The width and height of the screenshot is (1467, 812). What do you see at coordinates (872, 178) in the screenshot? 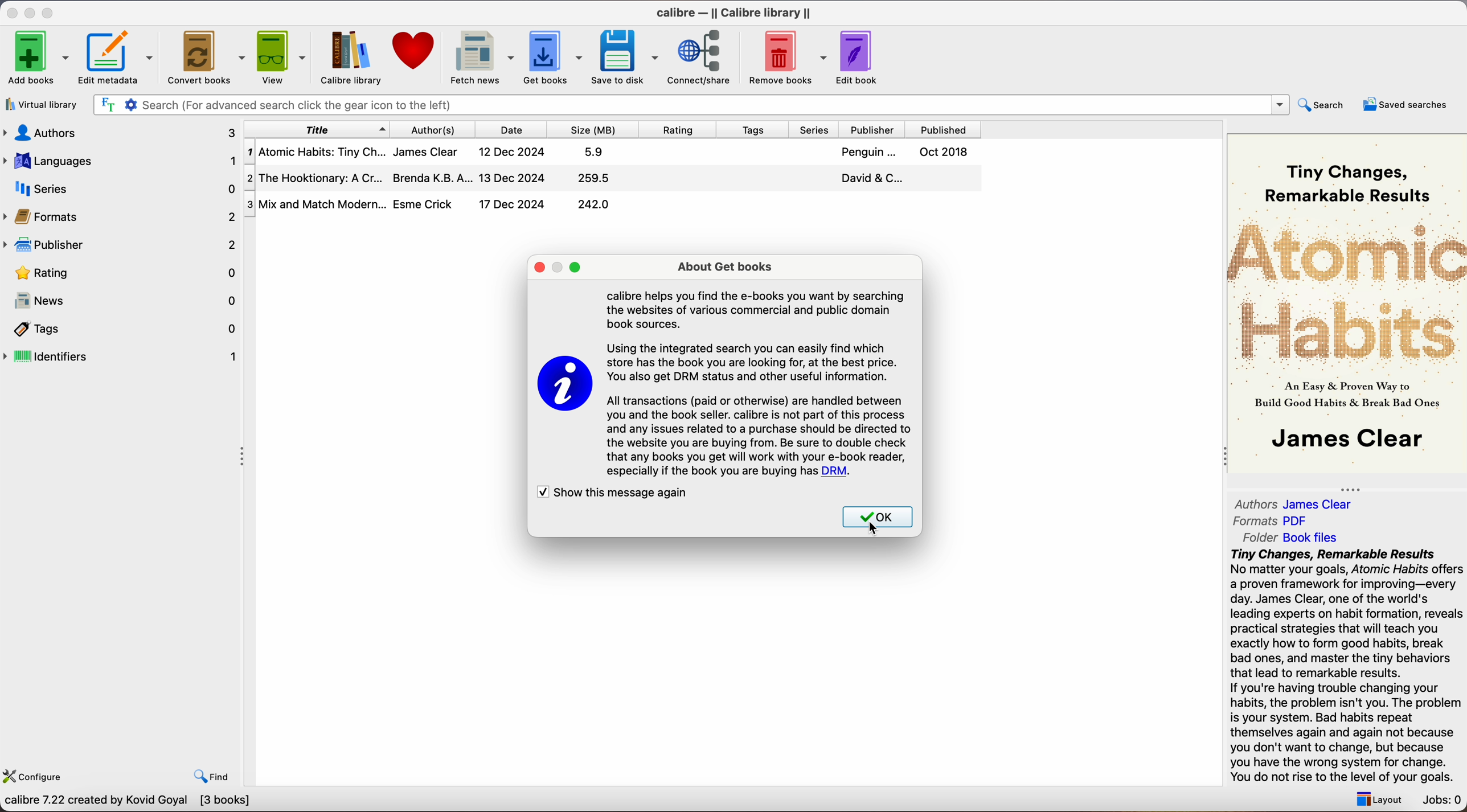
I see `David $ C...` at bounding box center [872, 178].